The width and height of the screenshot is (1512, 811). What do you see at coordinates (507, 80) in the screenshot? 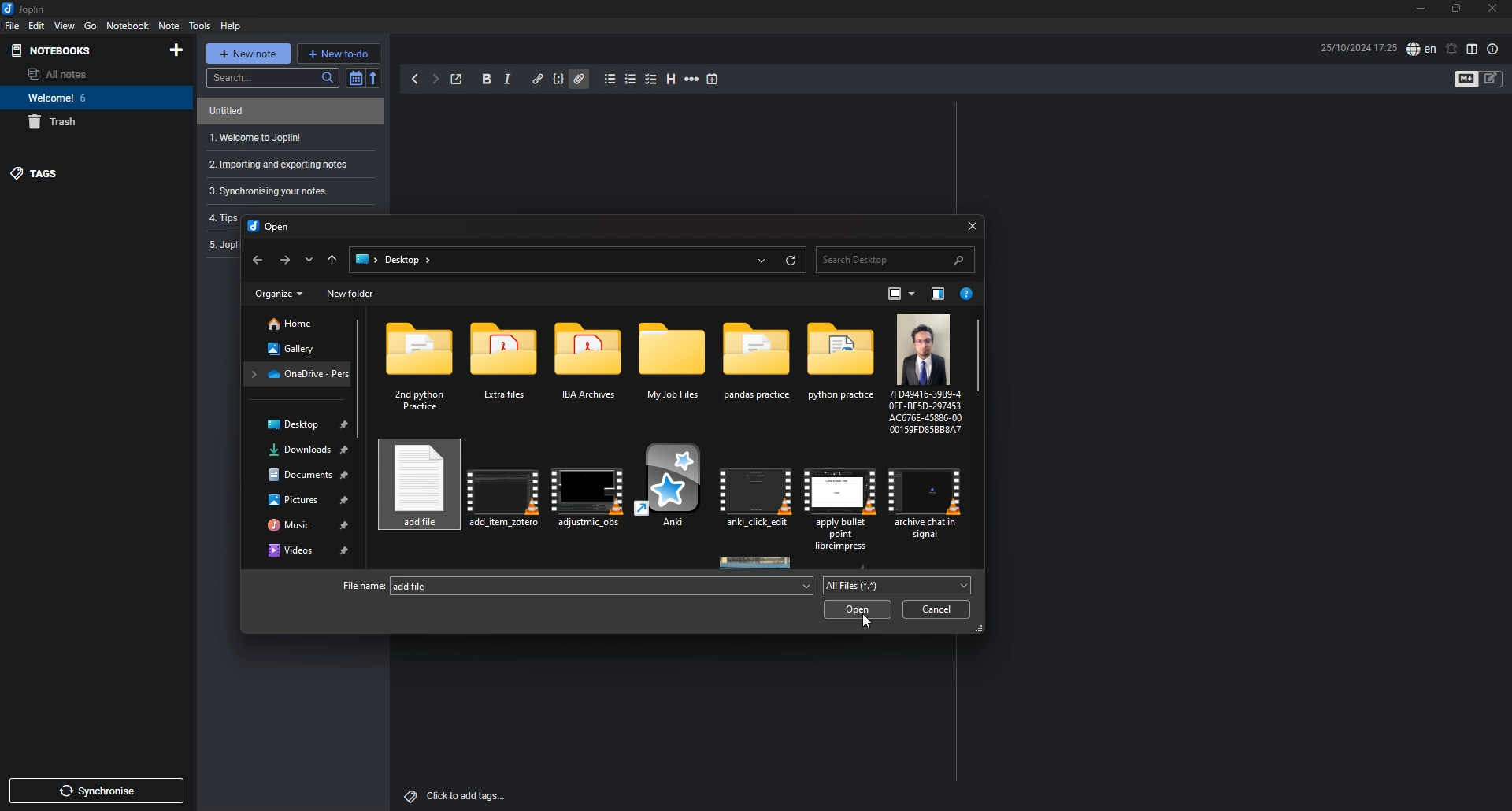
I see `italic` at bounding box center [507, 80].